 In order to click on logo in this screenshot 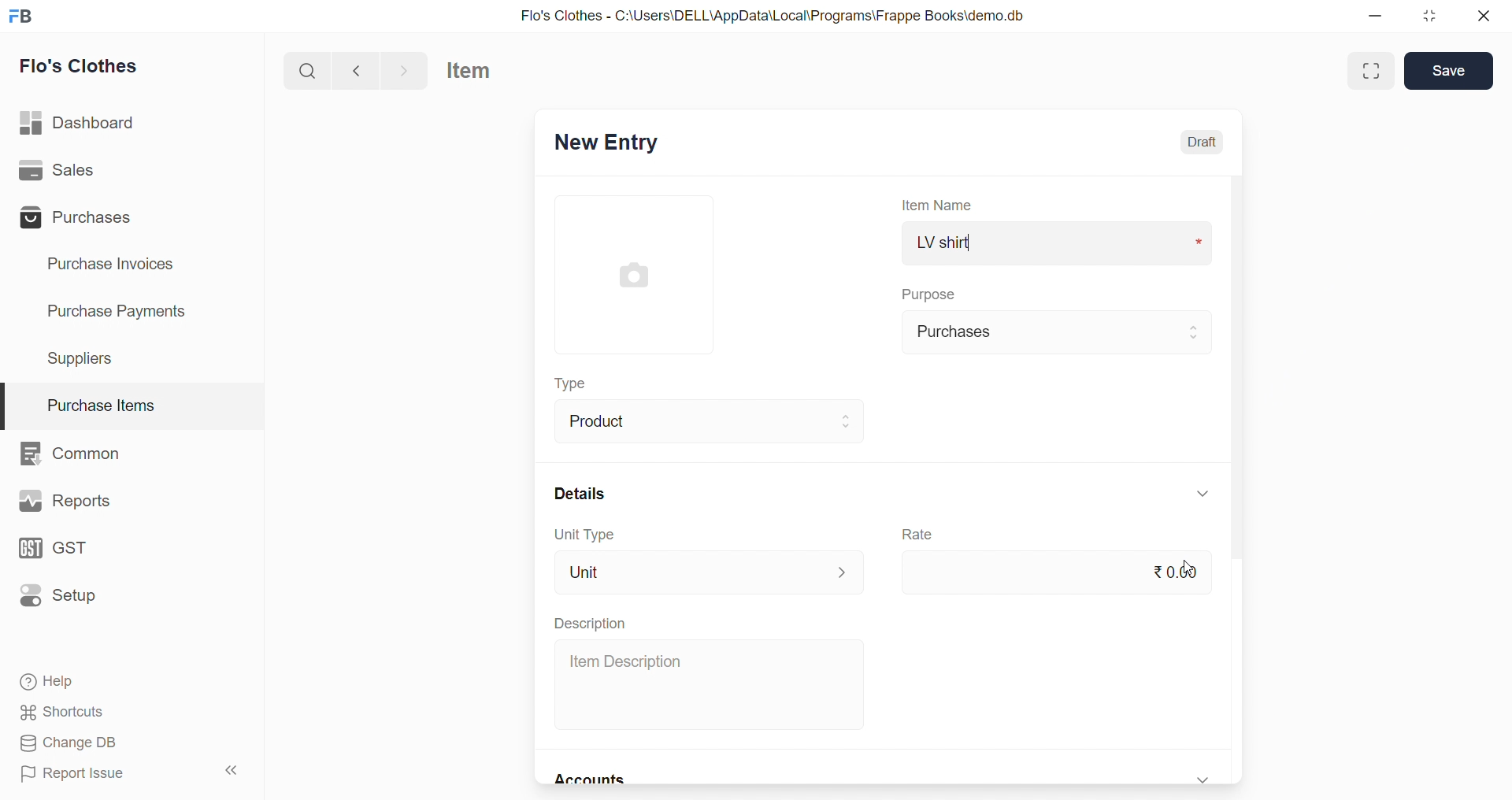, I will do `click(20, 17)`.